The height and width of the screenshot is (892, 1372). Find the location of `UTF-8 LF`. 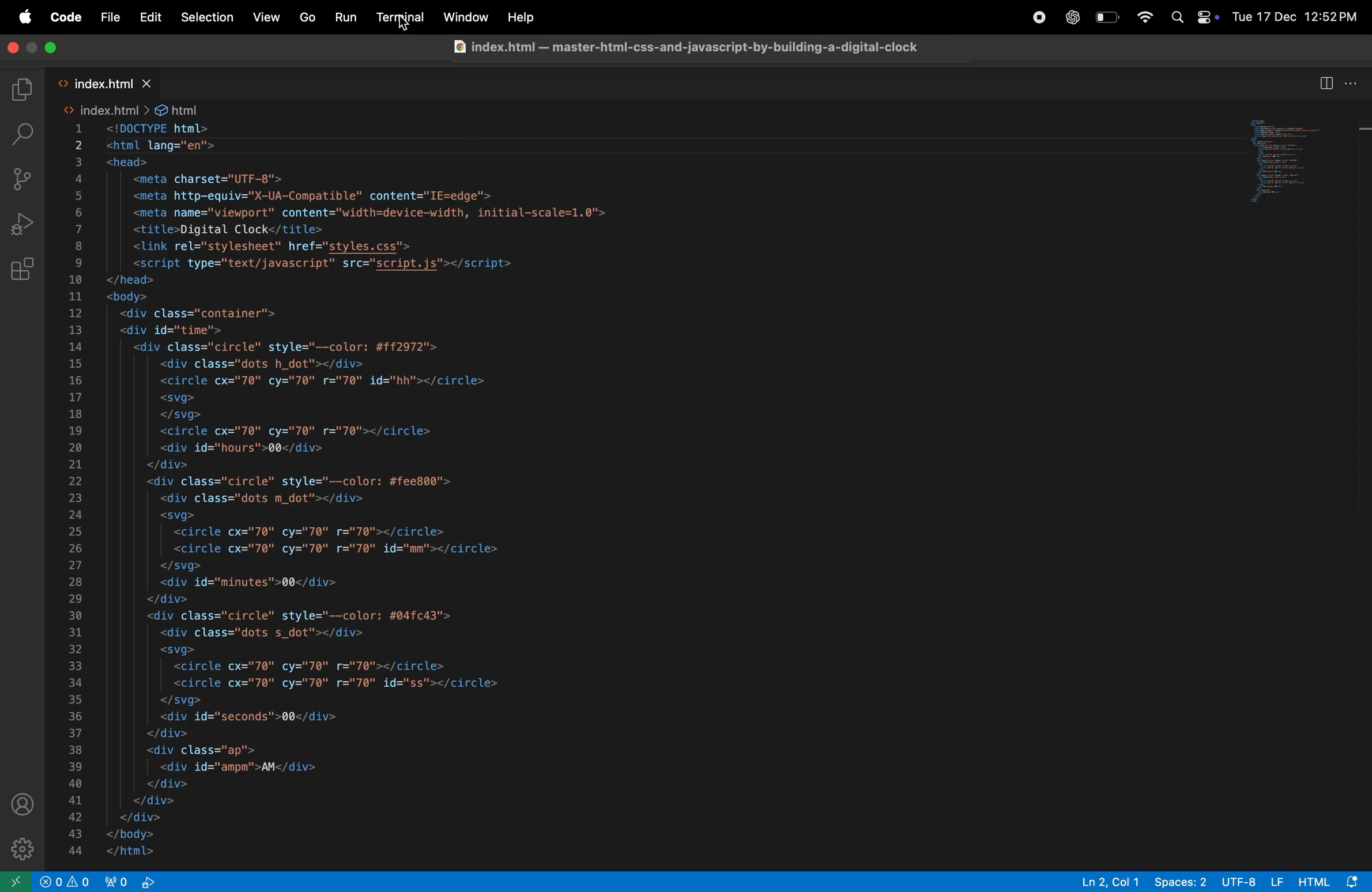

UTF-8 LF is located at coordinates (1253, 881).